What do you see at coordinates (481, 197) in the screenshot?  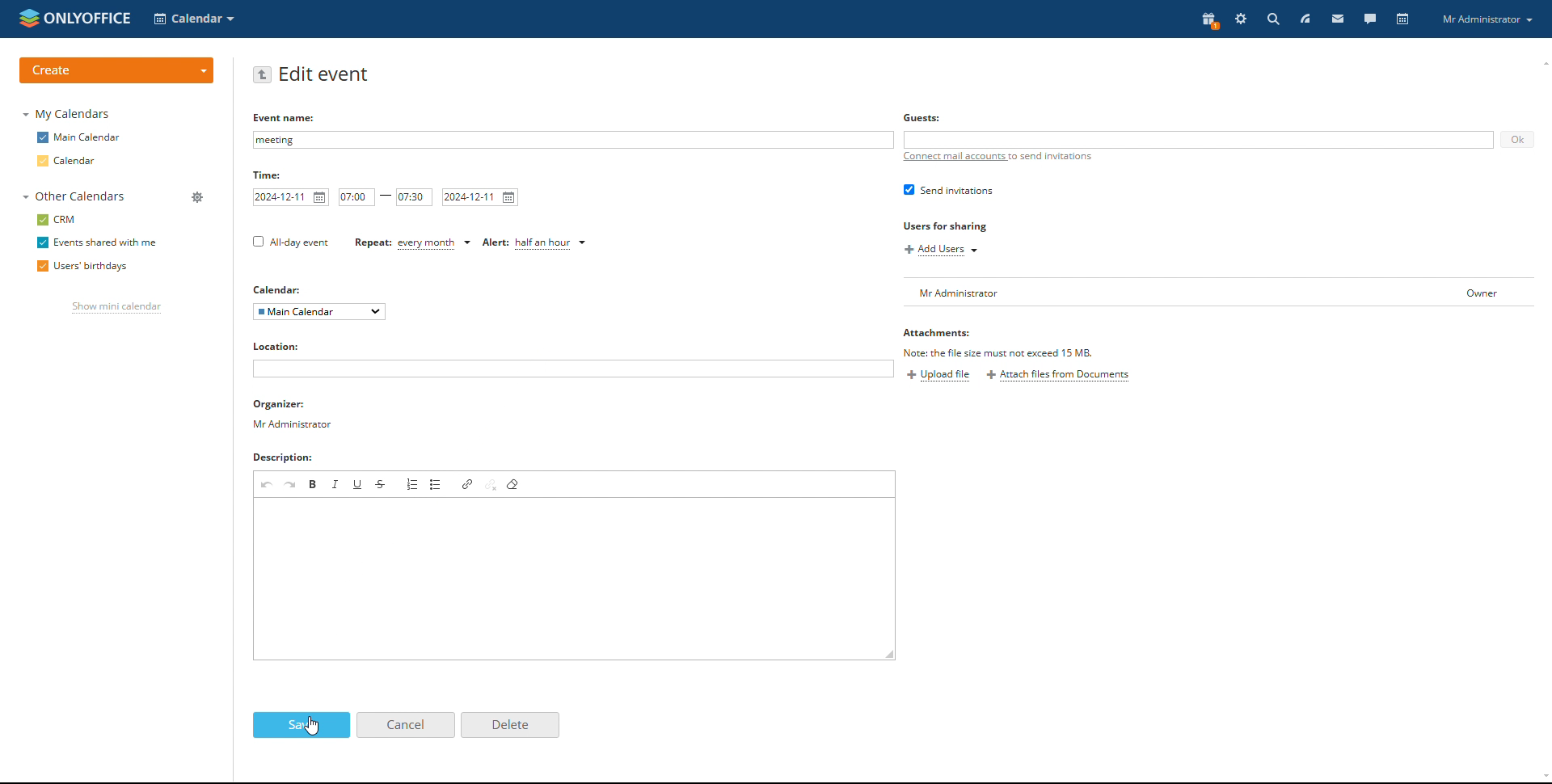 I see `end date` at bounding box center [481, 197].